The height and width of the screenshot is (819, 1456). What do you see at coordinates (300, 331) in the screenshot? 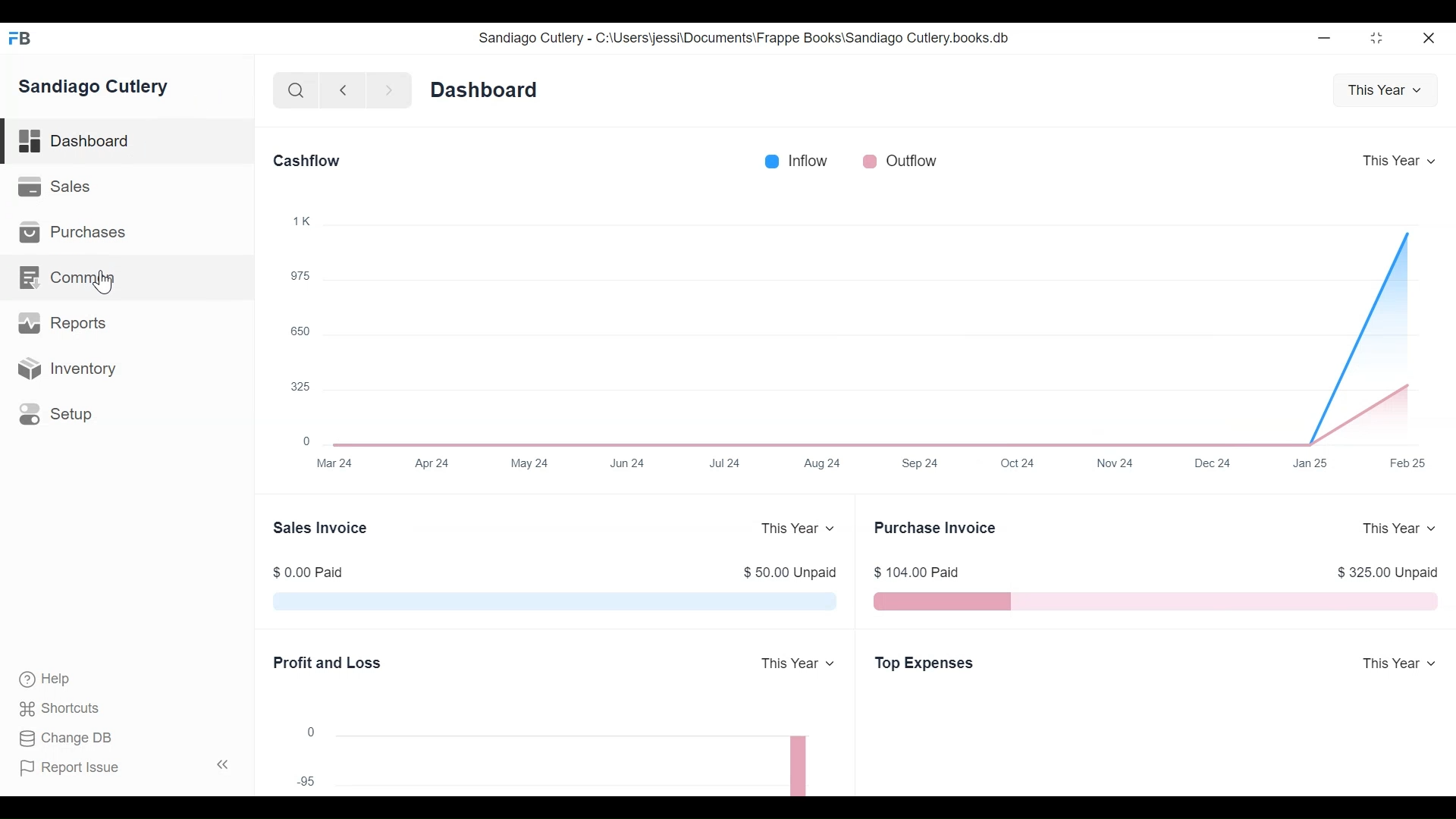
I see `650` at bounding box center [300, 331].